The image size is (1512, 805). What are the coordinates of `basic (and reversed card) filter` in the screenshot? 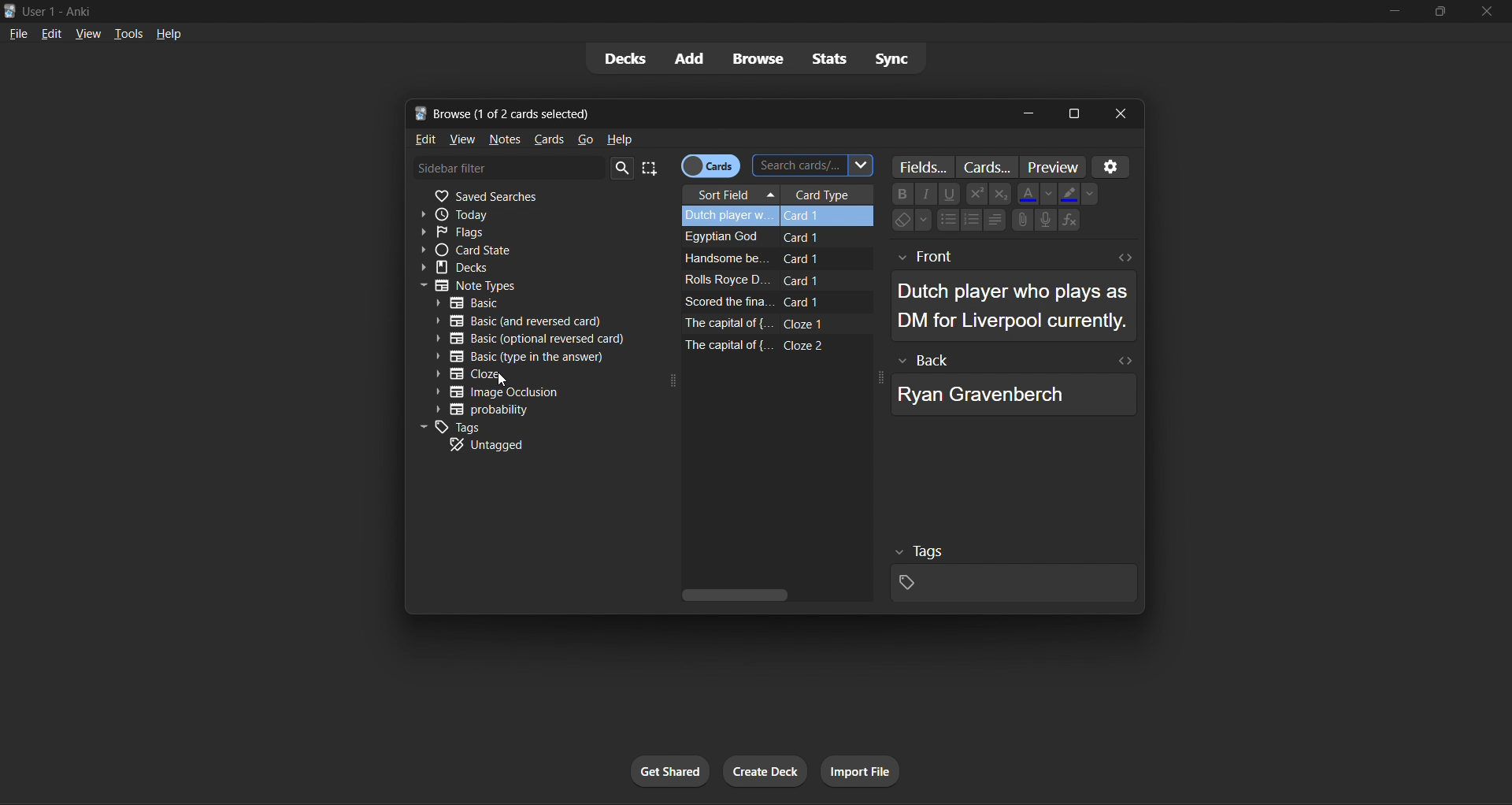 It's located at (515, 324).